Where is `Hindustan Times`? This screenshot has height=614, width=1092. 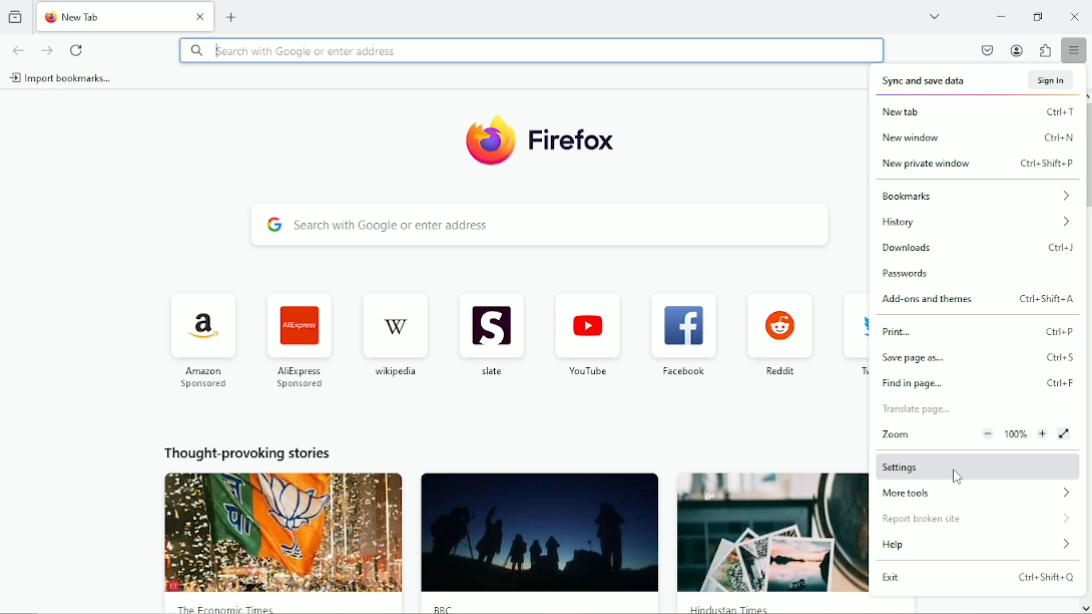
Hindustan Times is located at coordinates (727, 608).